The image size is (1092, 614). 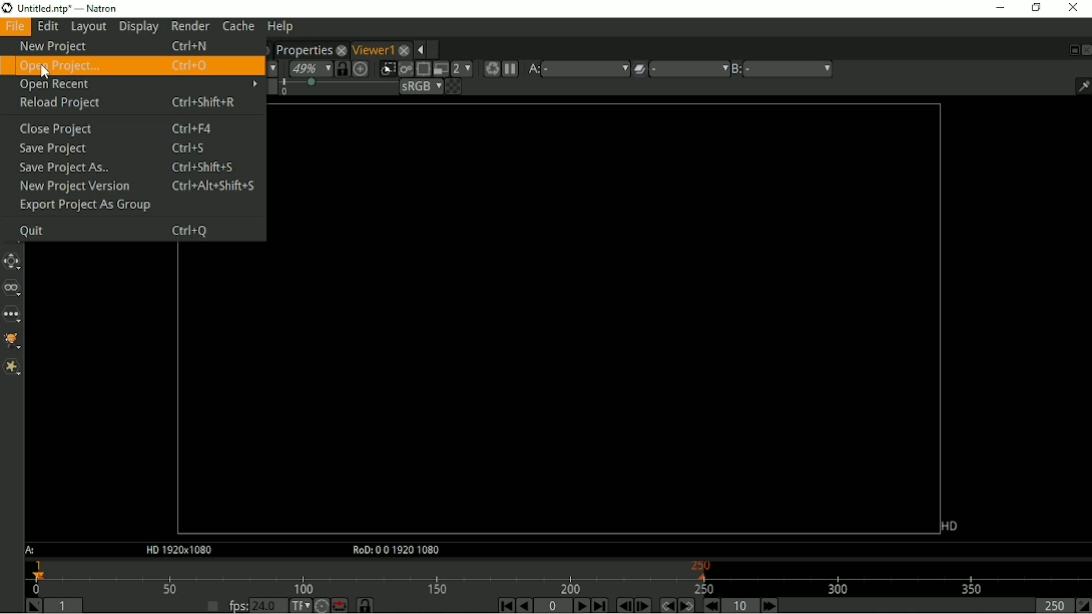 I want to click on close, so click(x=341, y=49).